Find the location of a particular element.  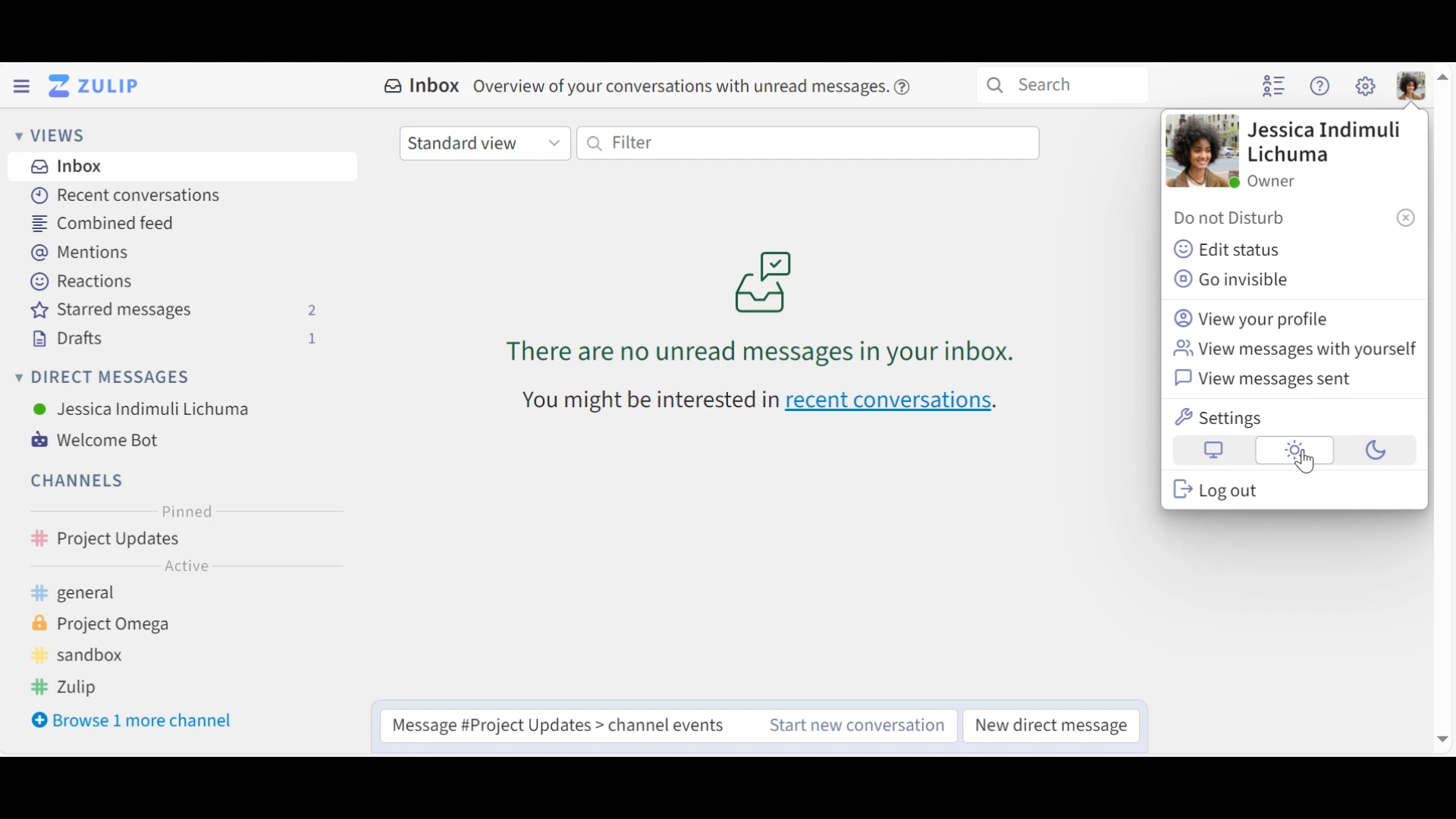

Dark theme is located at coordinates (1372, 451).